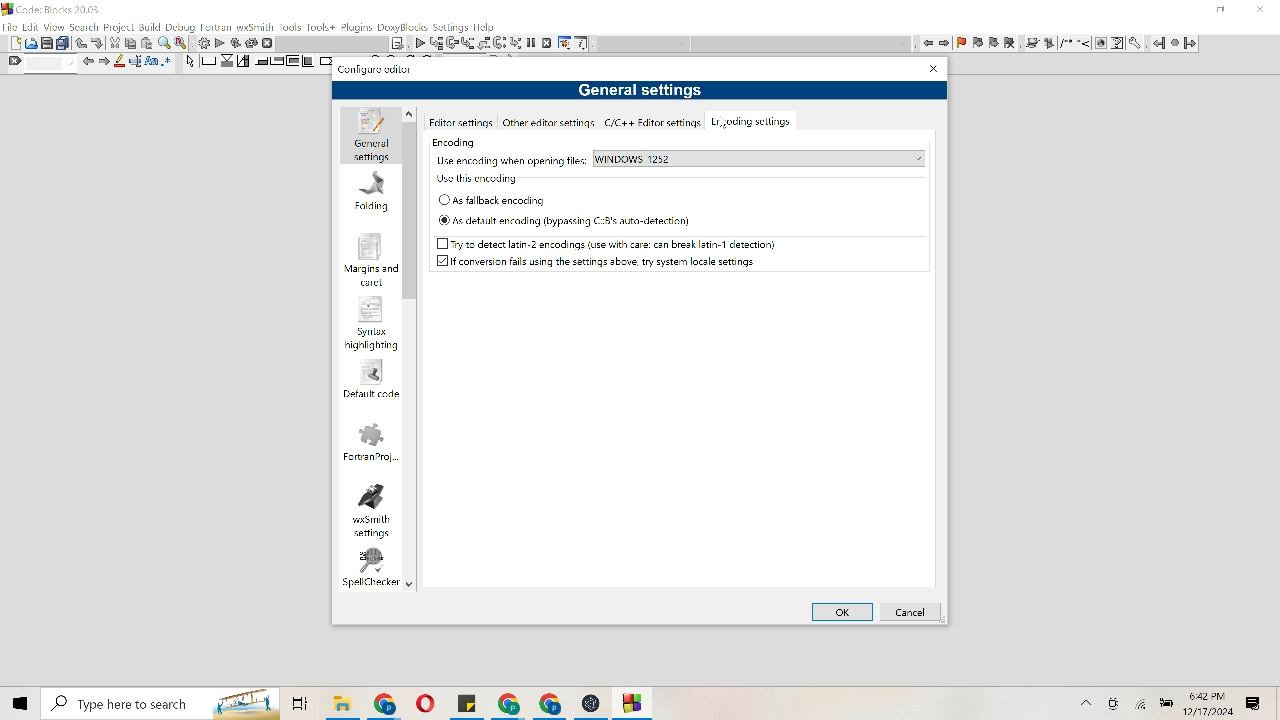 The width and height of the screenshot is (1280, 720). I want to click on Message, so click(1254, 703).